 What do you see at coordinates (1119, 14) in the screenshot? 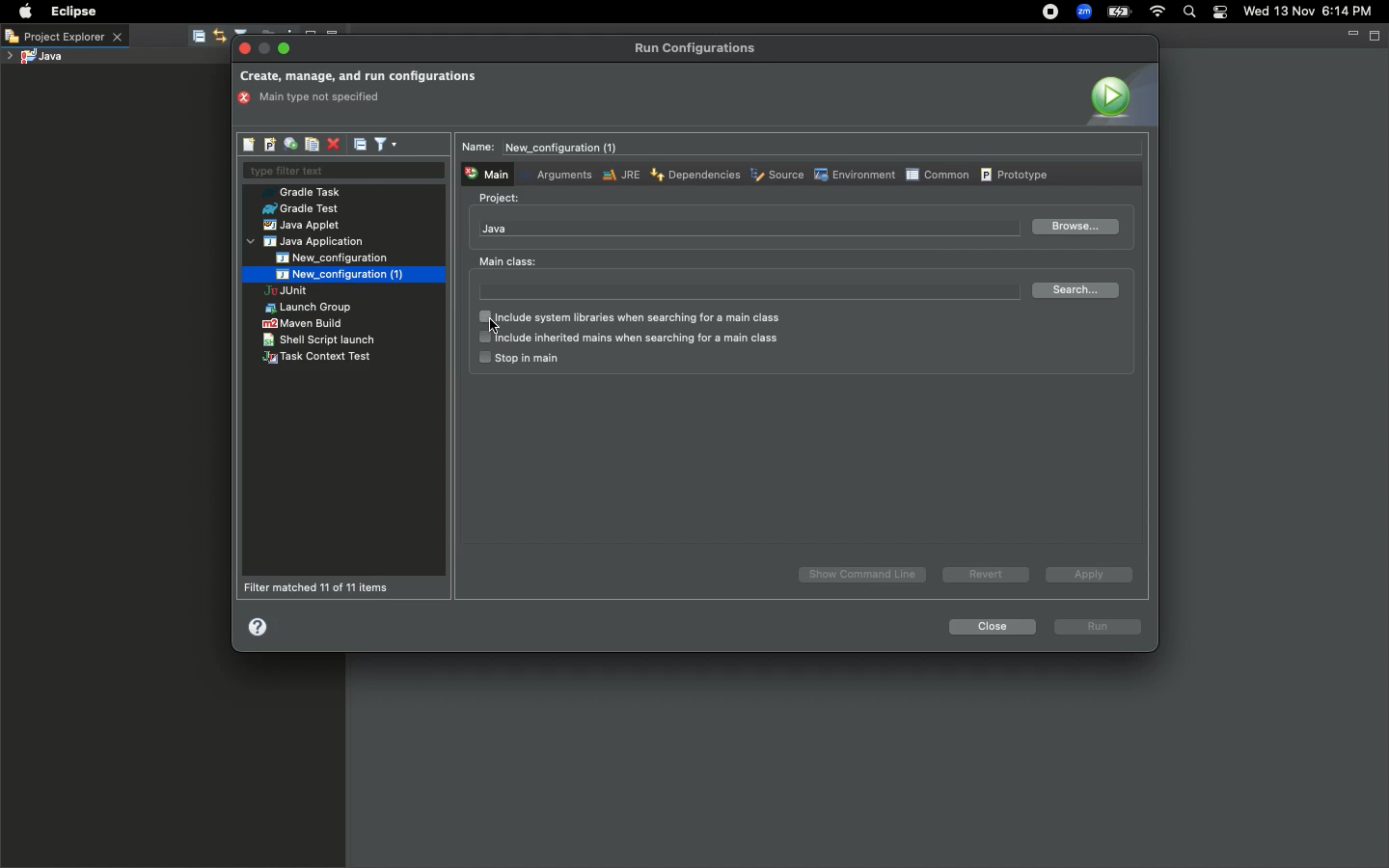
I see `Charge` at bounding box center [1119, 14].